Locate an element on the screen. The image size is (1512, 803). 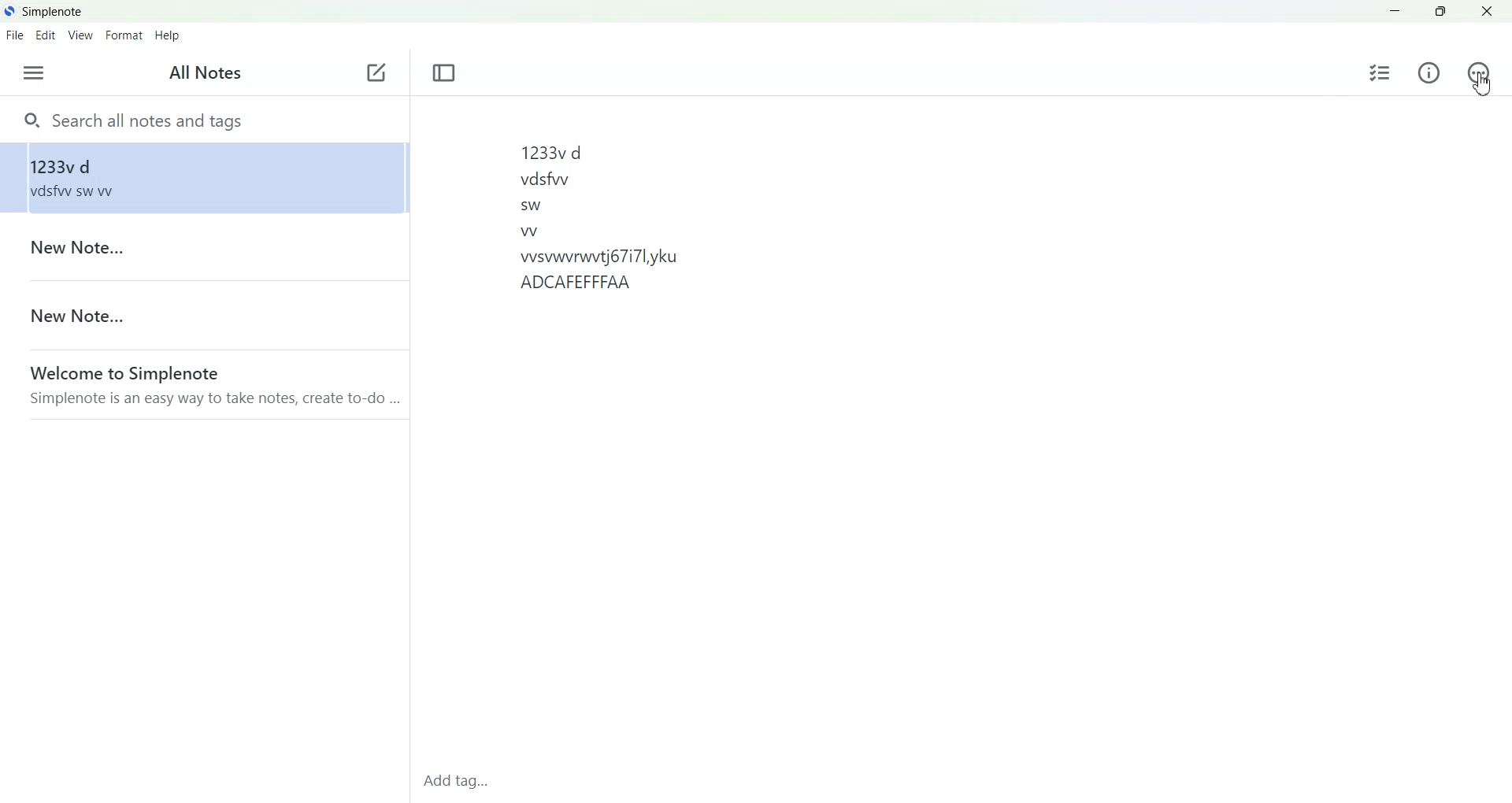
Help is located at coordinates (168, 35).